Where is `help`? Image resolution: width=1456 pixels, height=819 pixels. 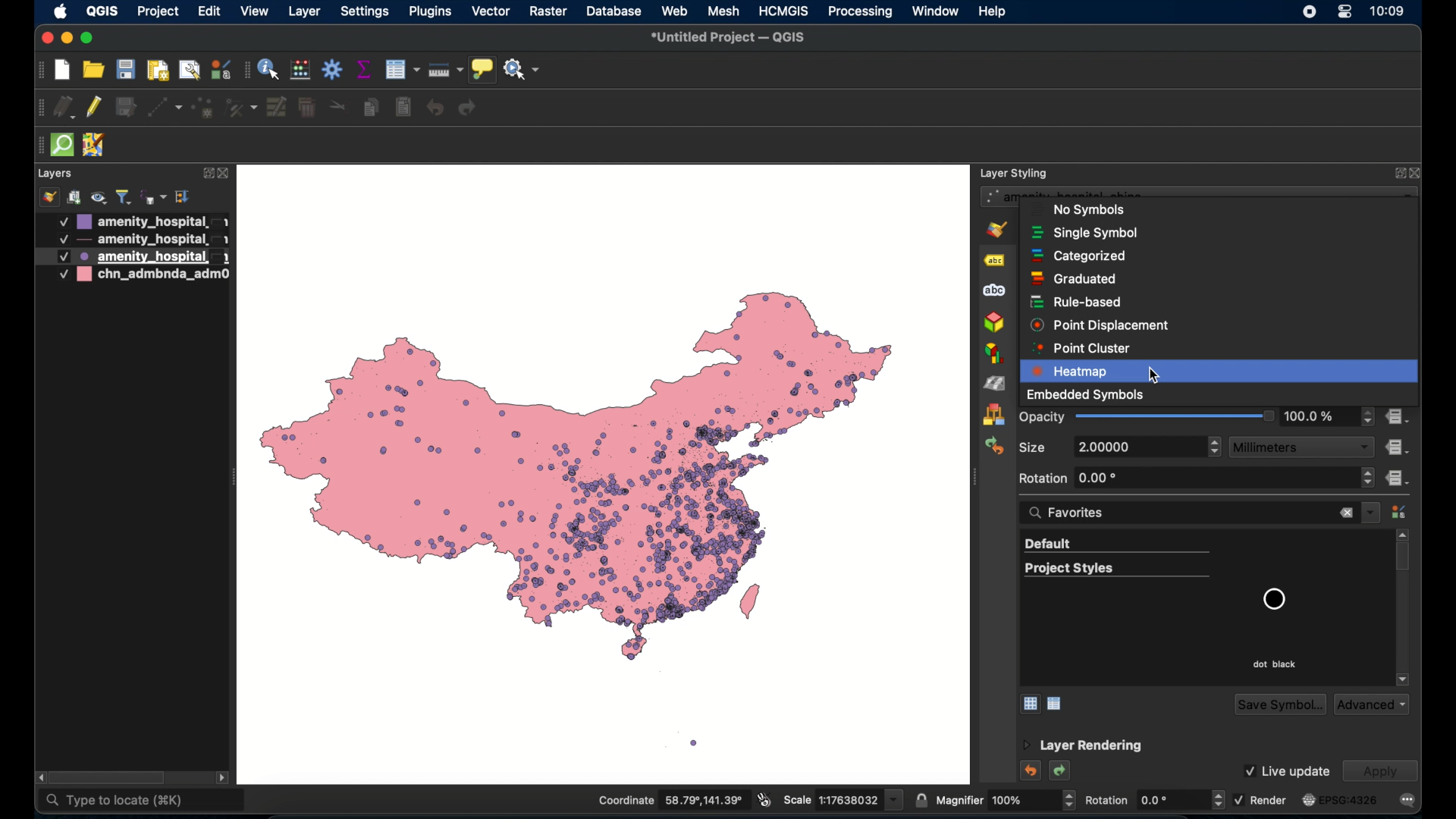
help is located at coordinates (994, 11).